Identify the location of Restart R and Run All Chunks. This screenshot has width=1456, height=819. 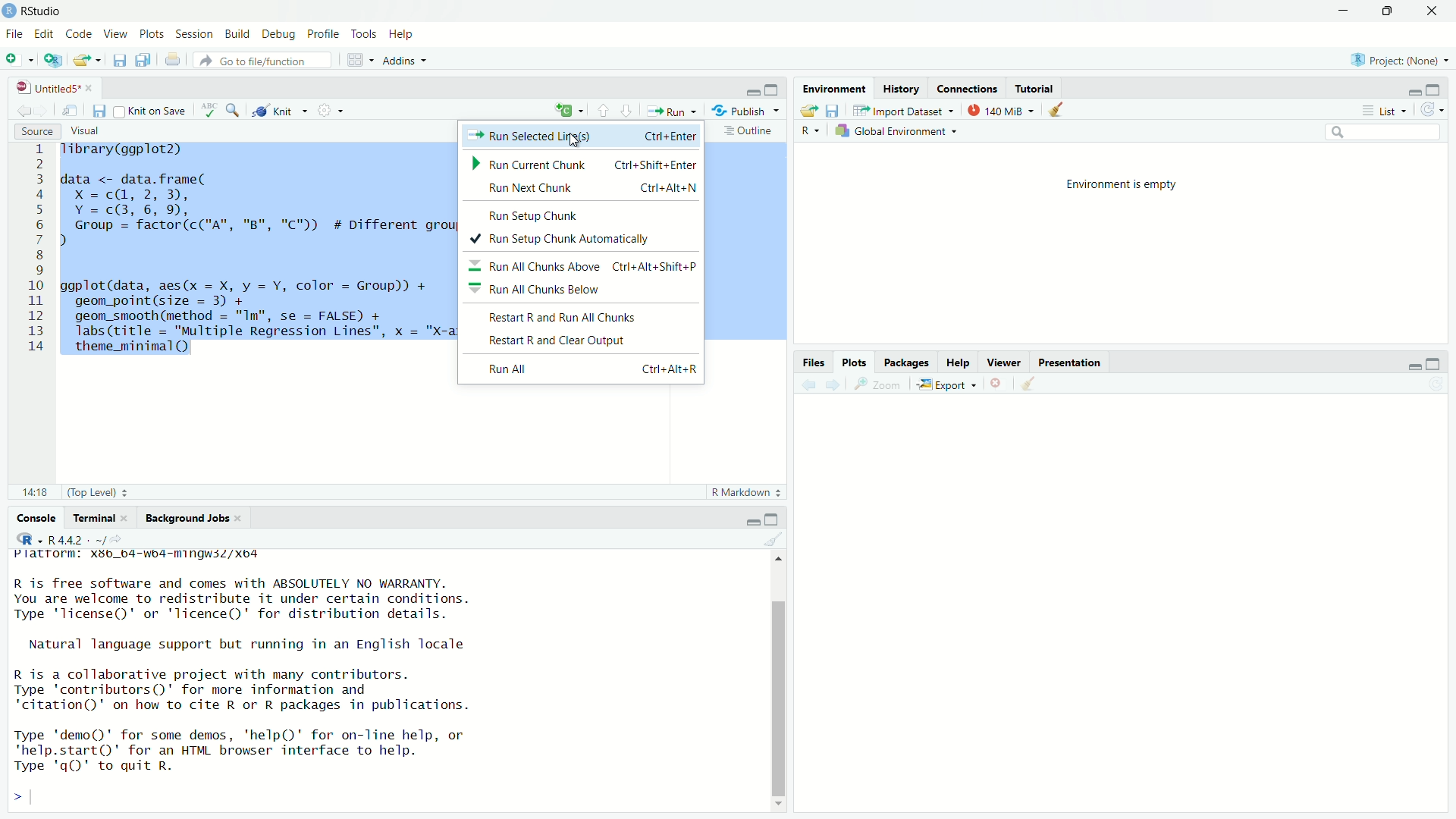
(572, 317).